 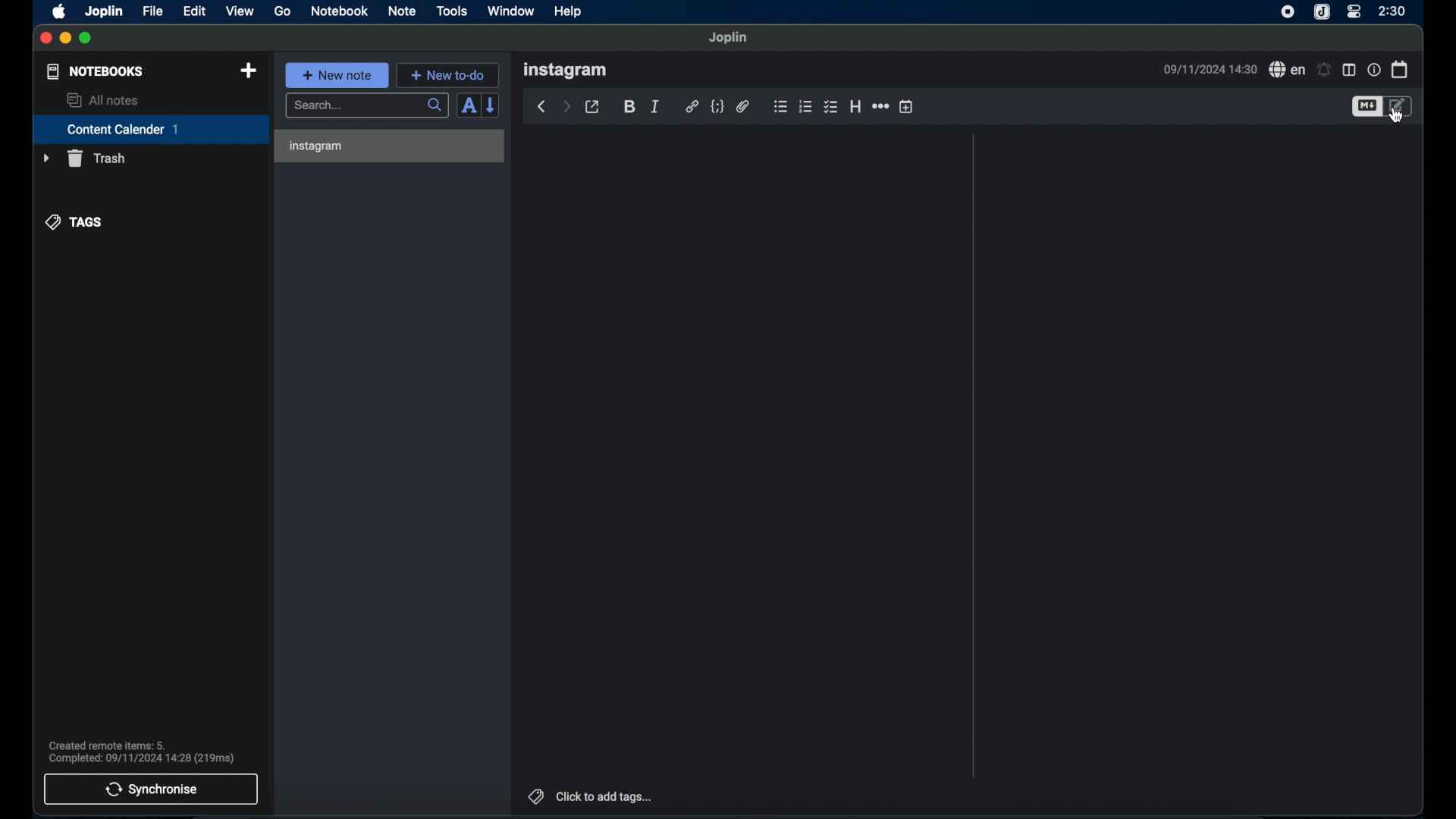 I want to click on toggle editor, so click(x=1365, y=107).